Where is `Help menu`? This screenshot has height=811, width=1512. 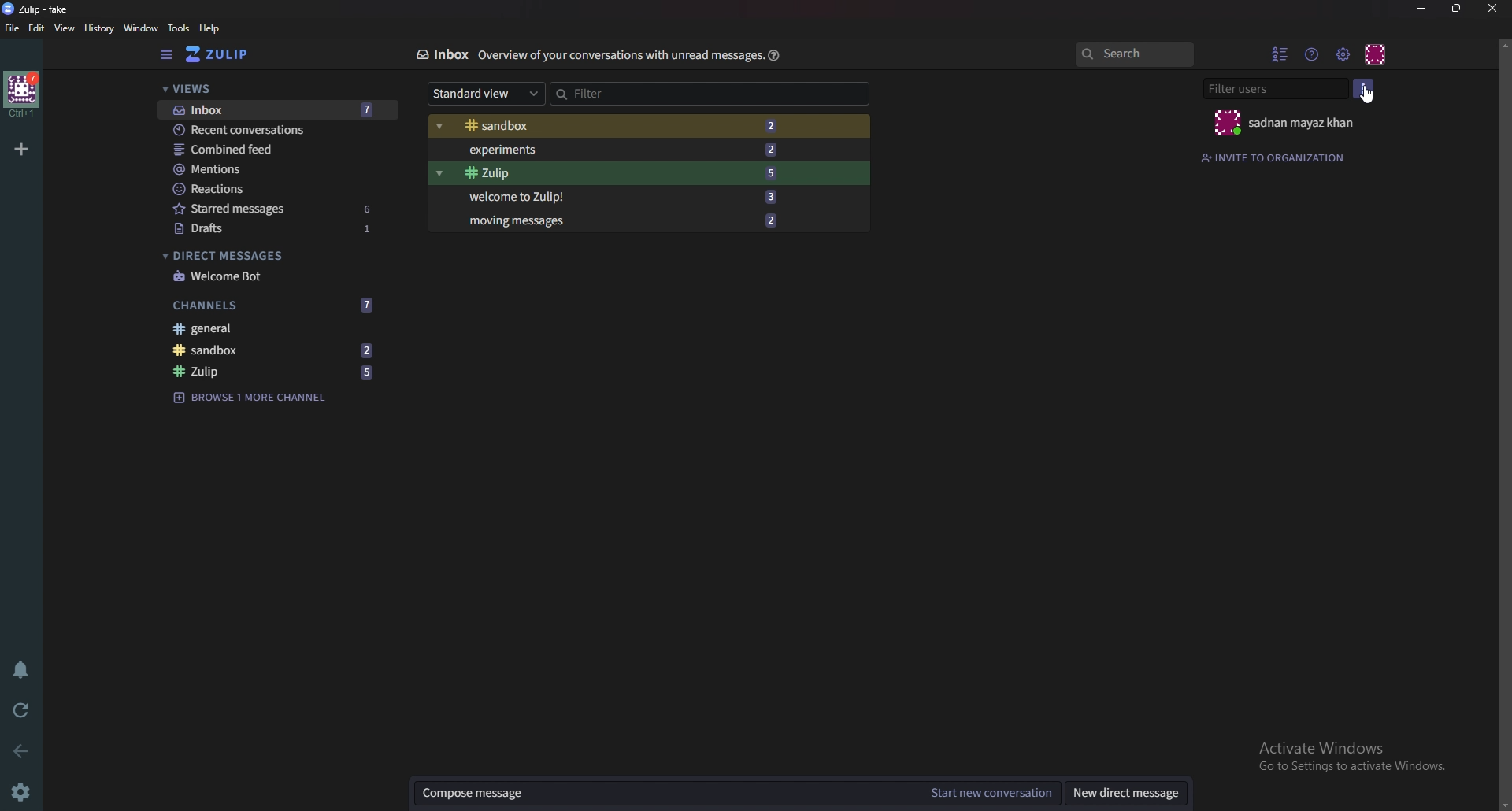 Help menu is located at coordinates (1314, 54).